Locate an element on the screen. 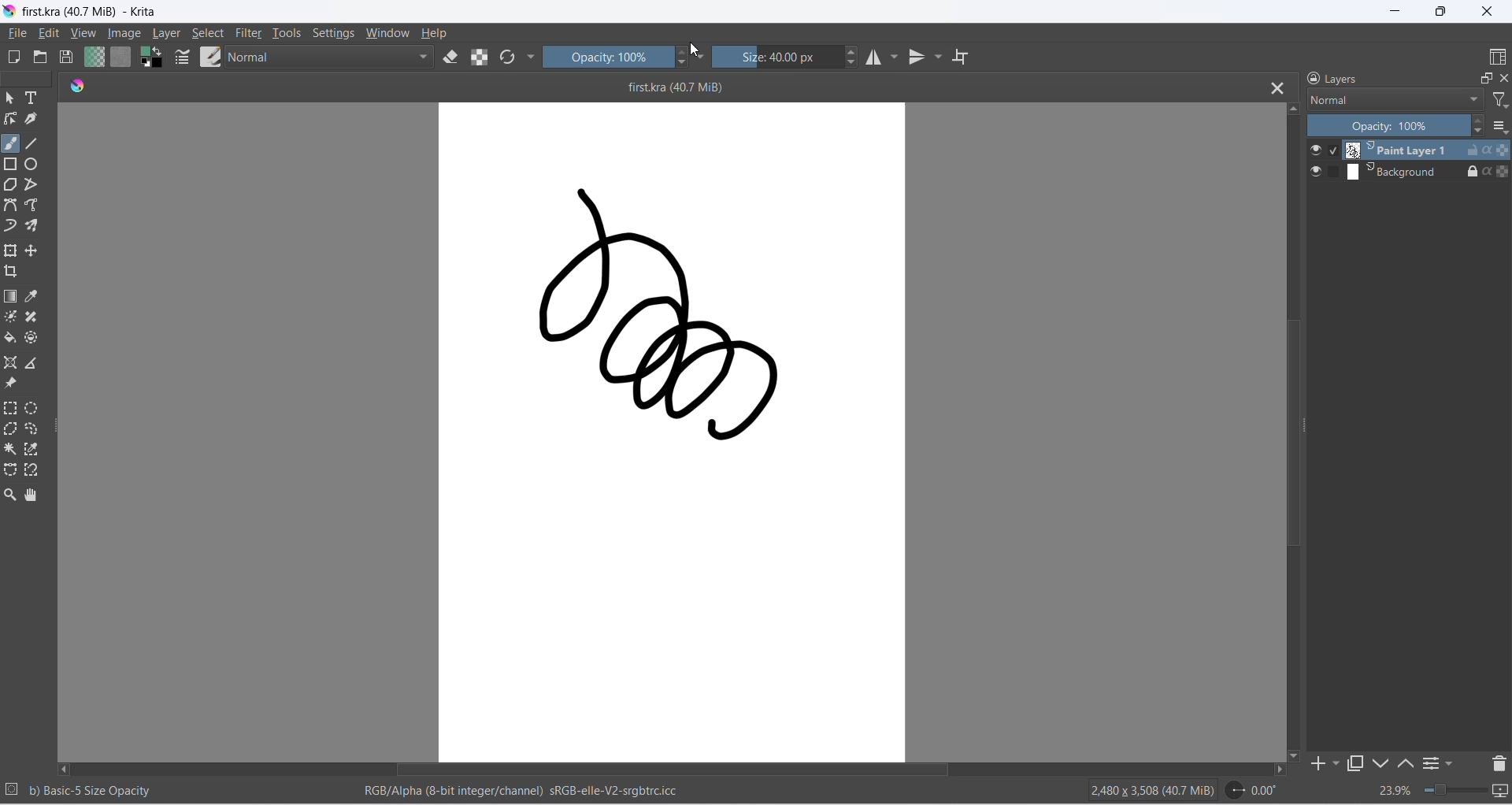  help is located at coordinates (436, 33).